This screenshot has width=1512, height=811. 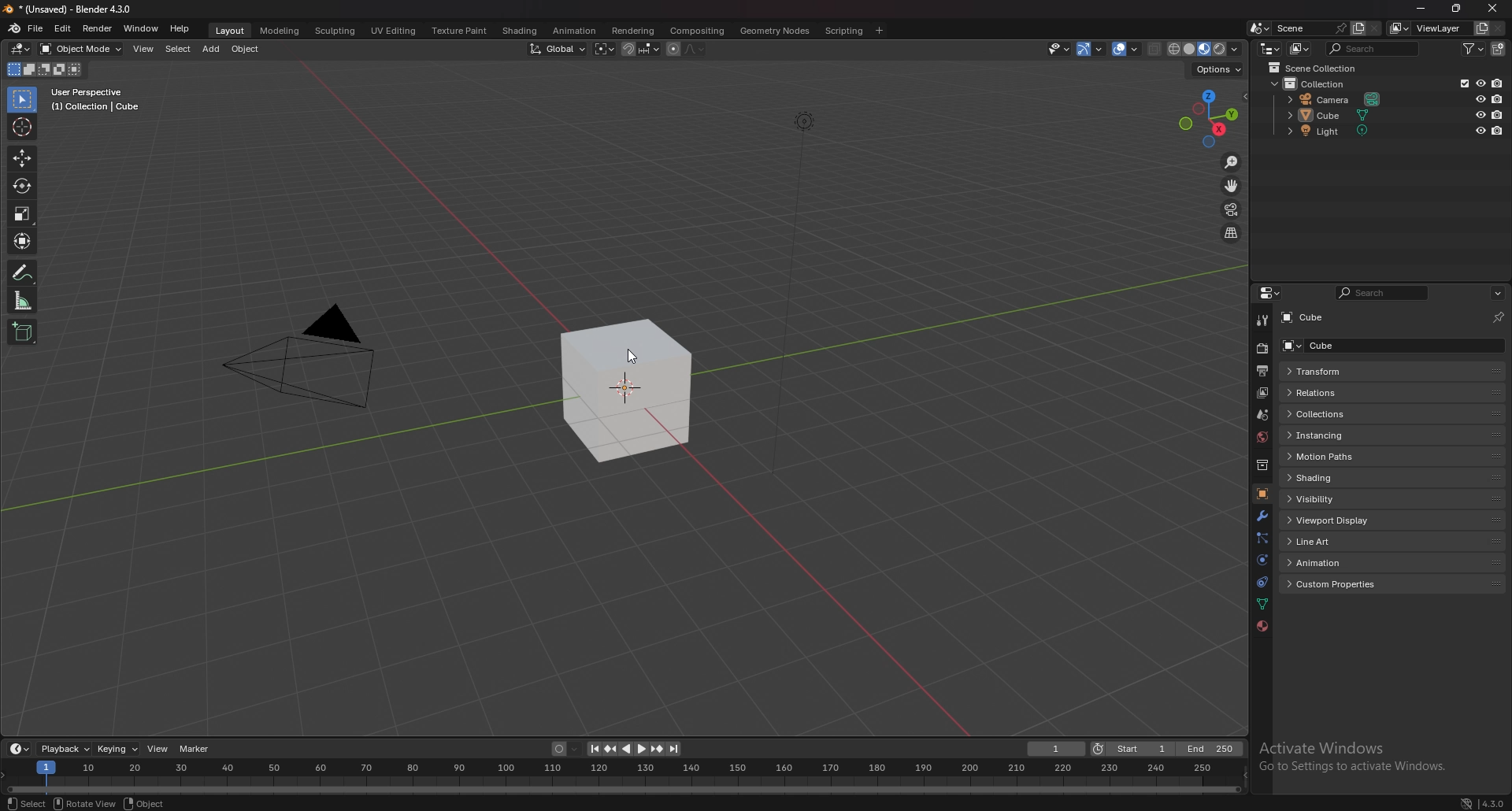 What do you see at coordinates (144, 803) in the screenshot?
I see `object` at bounding box center [144, 803].